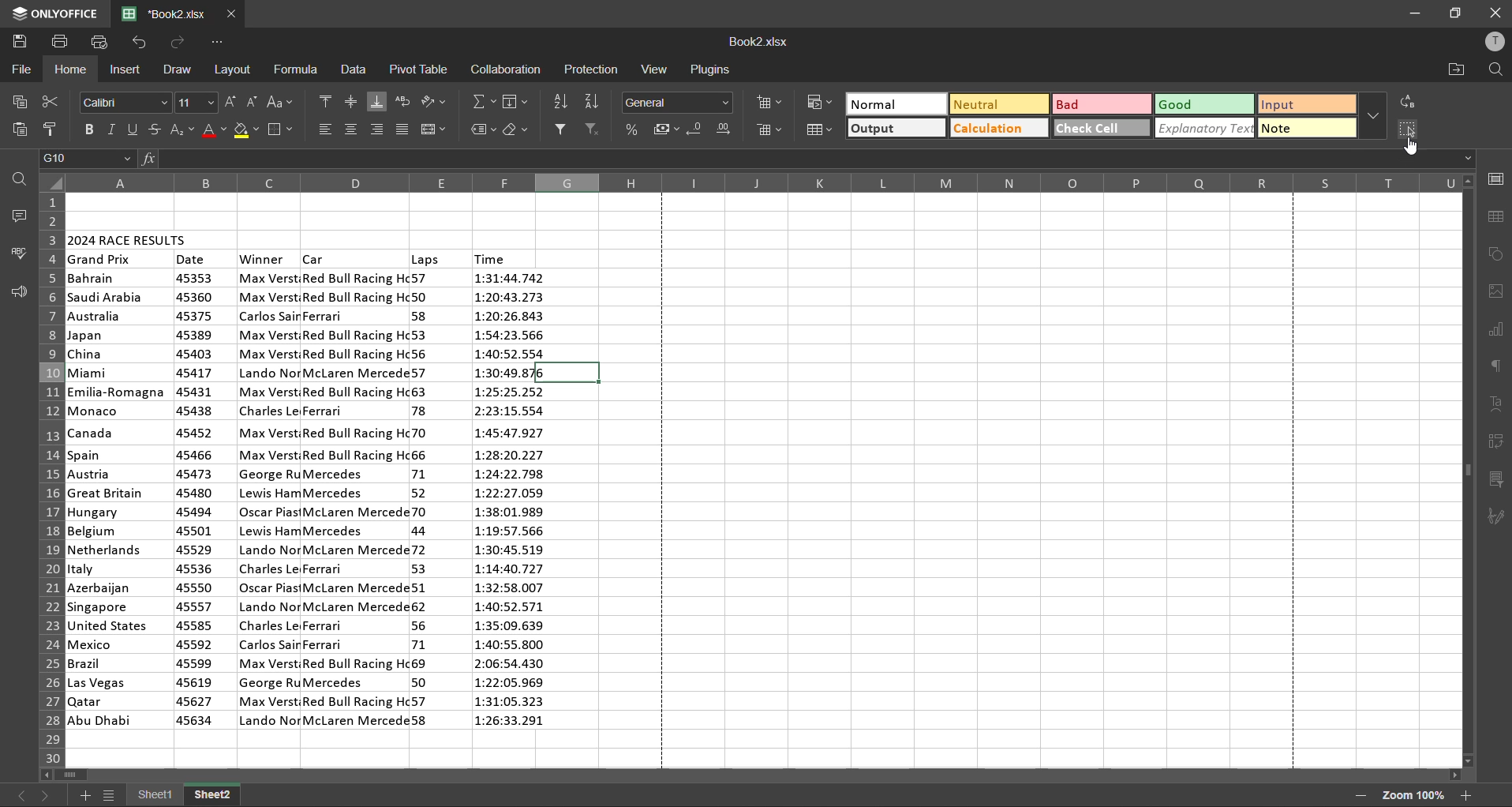 This screenshot has height=807, width=1512. Describe the element at coordinates (505, 69) in the screenshot. I see `collaboration` at that location.